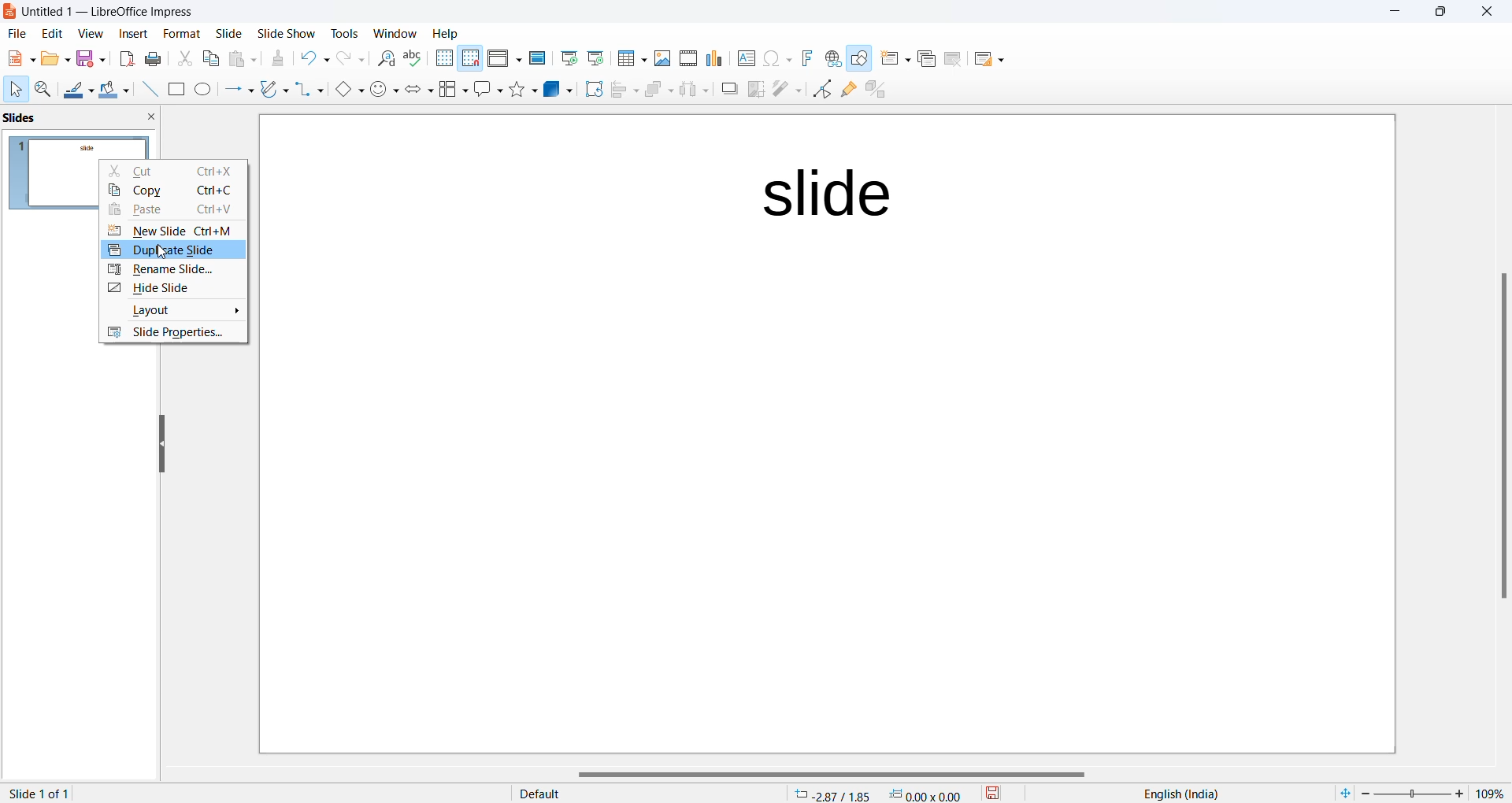 The height and width of the screenshot is (803, 1512). I want to click on Call out shapes, so click(486, 90).